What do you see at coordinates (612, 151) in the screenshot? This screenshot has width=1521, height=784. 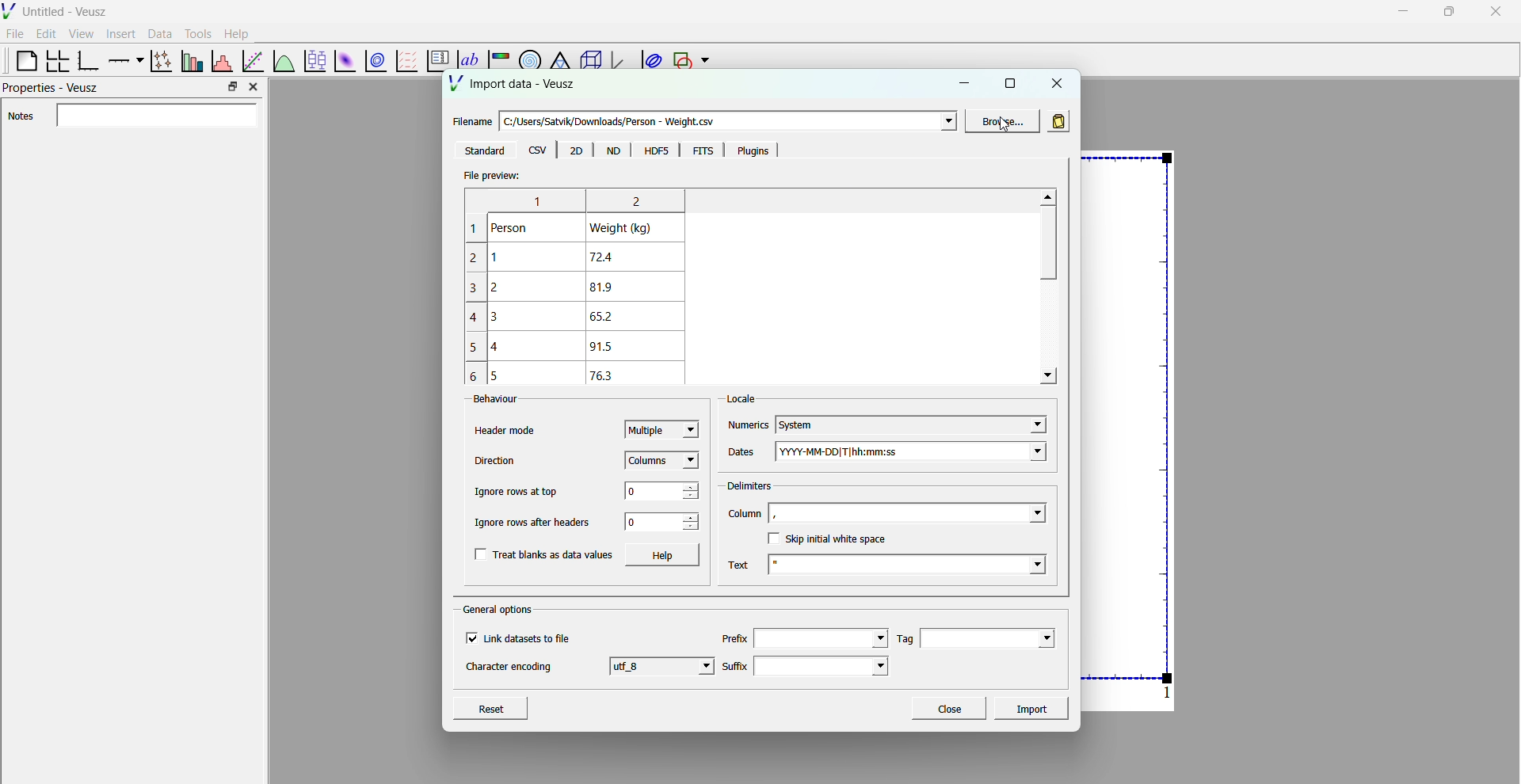 I see `ND.` at bounding box center [612, 151].